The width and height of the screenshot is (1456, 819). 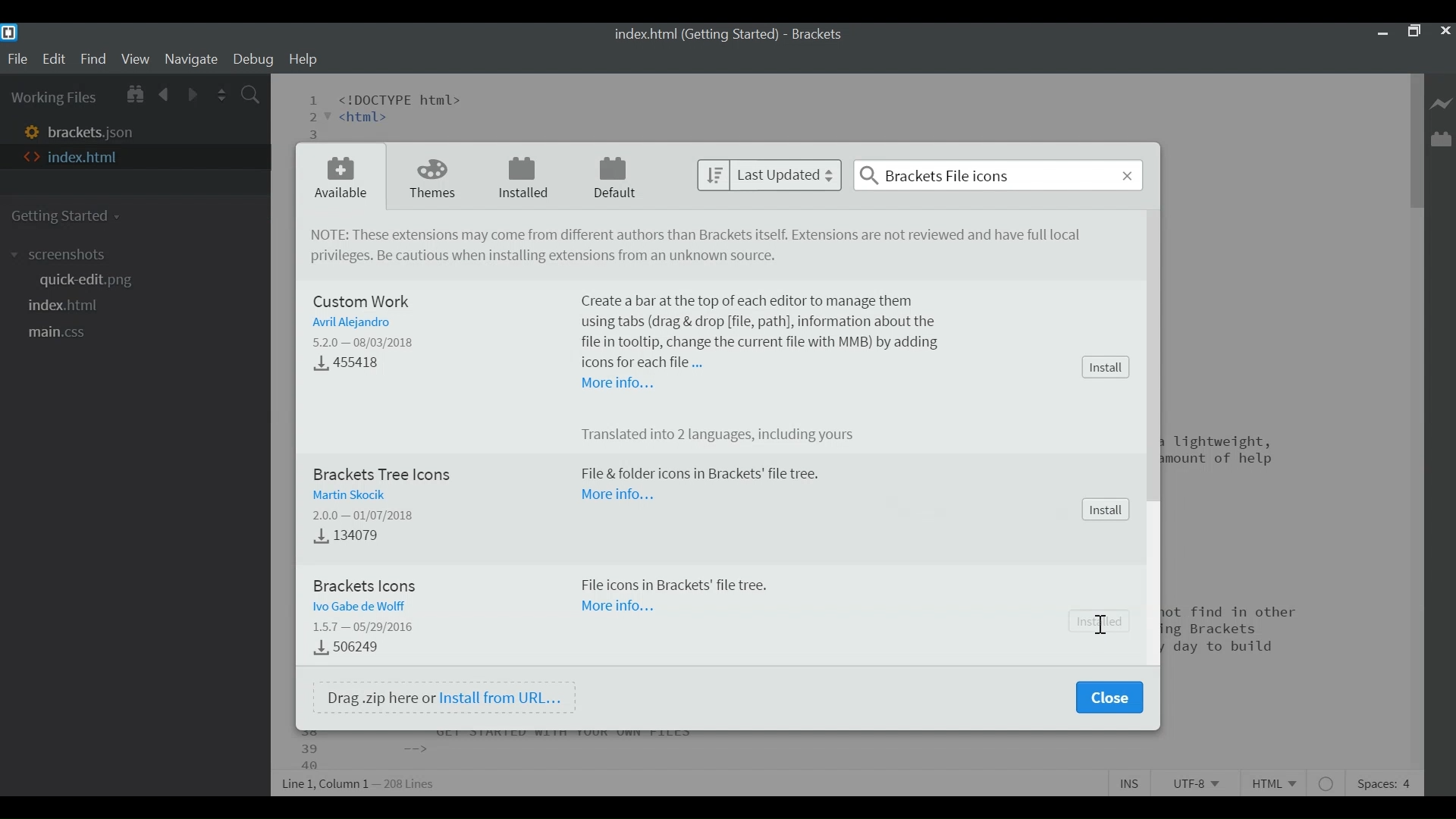 I want to click on Restore, so click(x=1414, y=33).